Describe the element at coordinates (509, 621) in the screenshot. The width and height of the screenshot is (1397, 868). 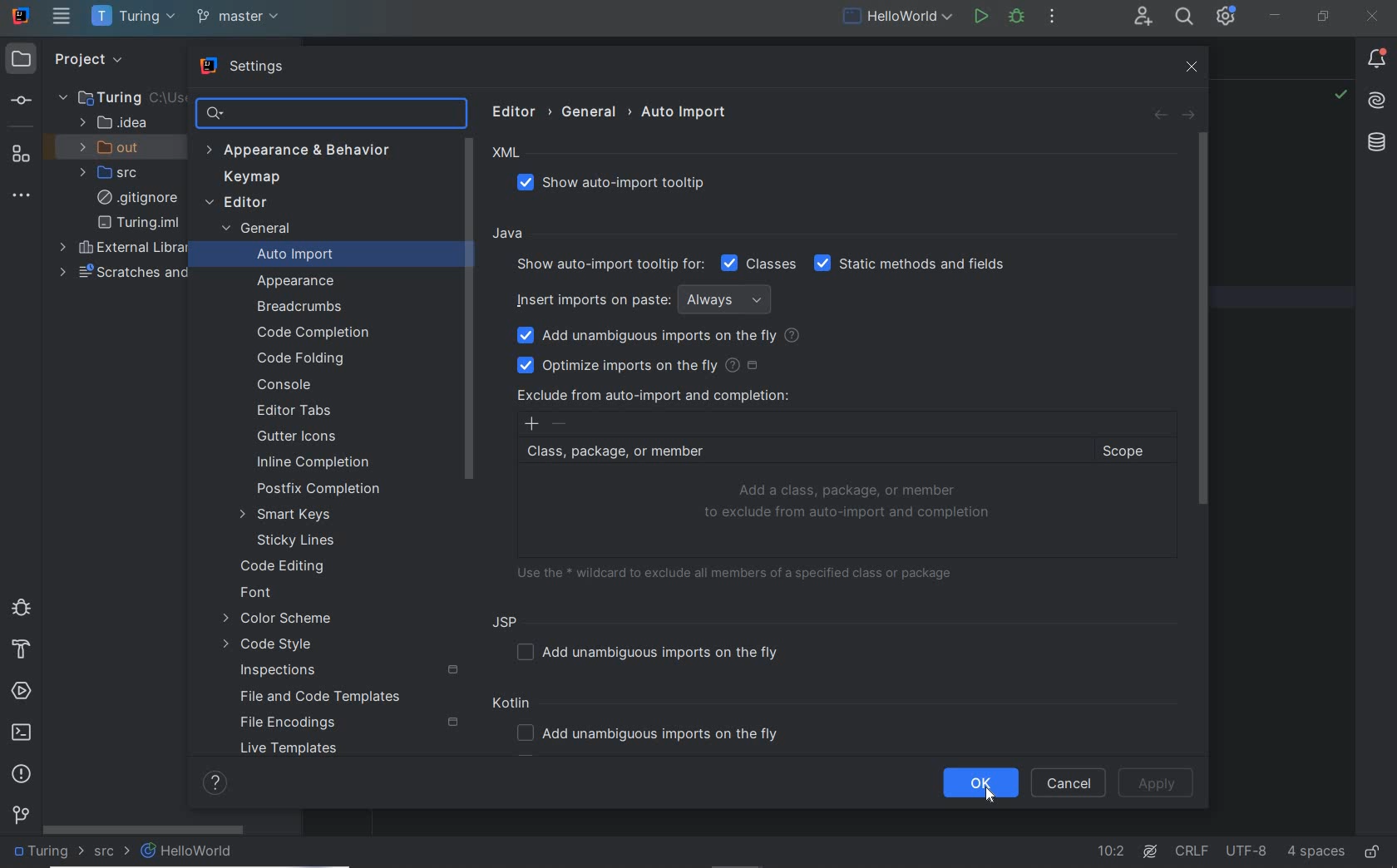
I see `JSP` at that location.